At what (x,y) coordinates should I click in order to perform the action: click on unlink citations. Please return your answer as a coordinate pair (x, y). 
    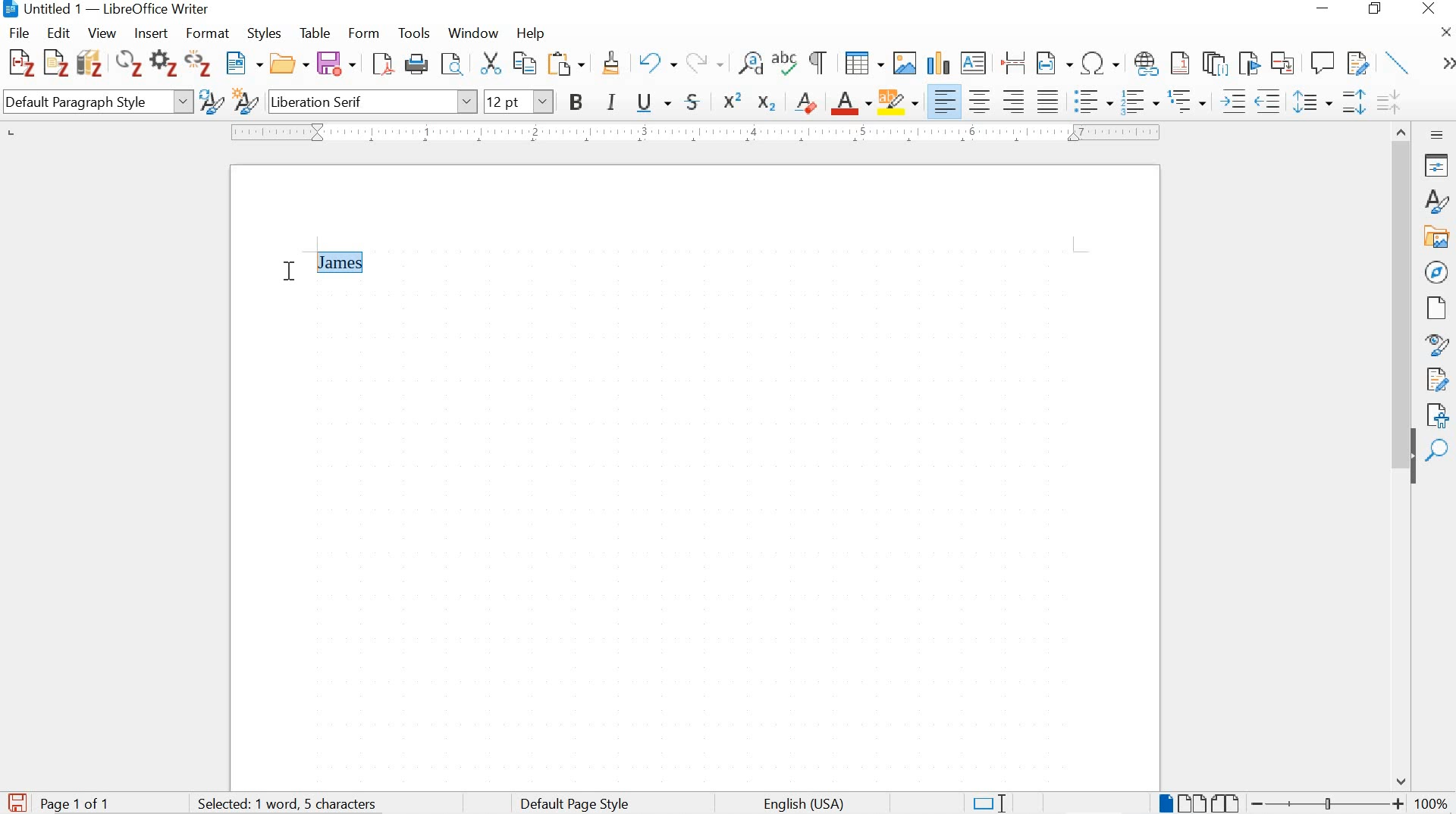
    Looking at the image, I should click on (199, 66).